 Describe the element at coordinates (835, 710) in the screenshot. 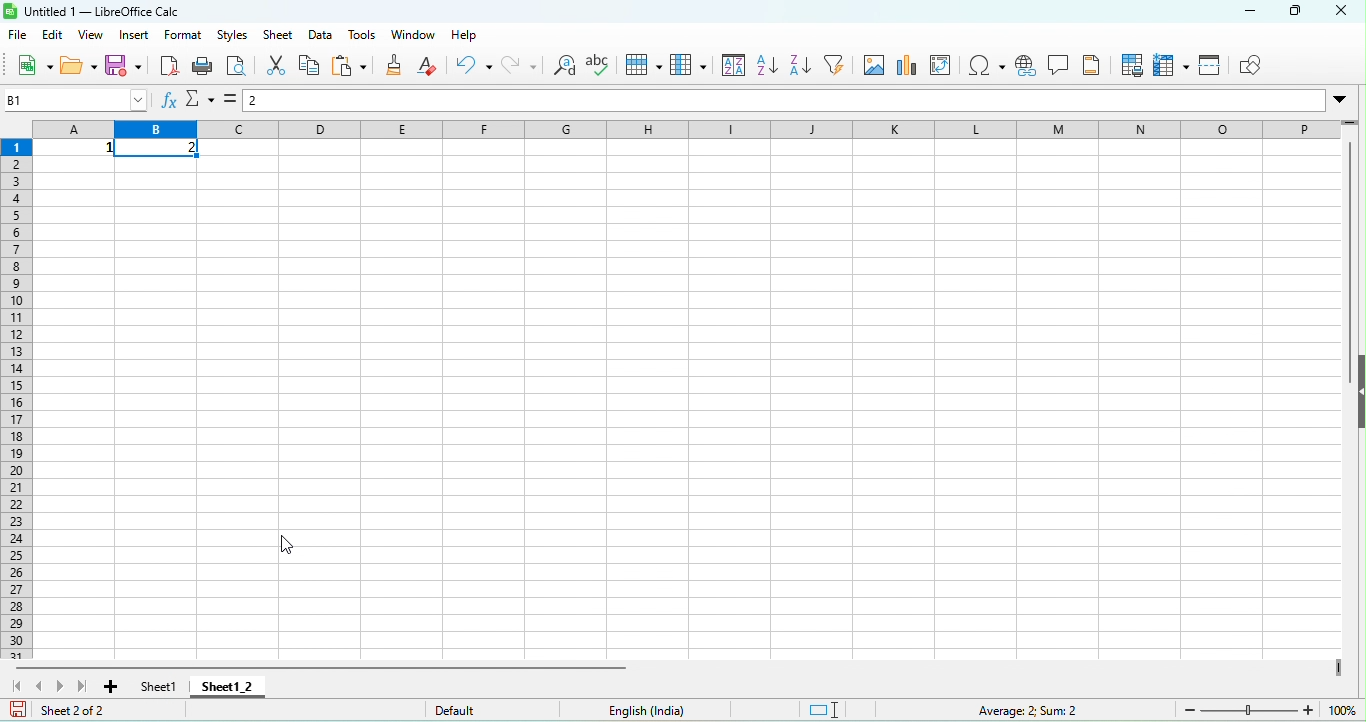

I see `standard selection` at that location.